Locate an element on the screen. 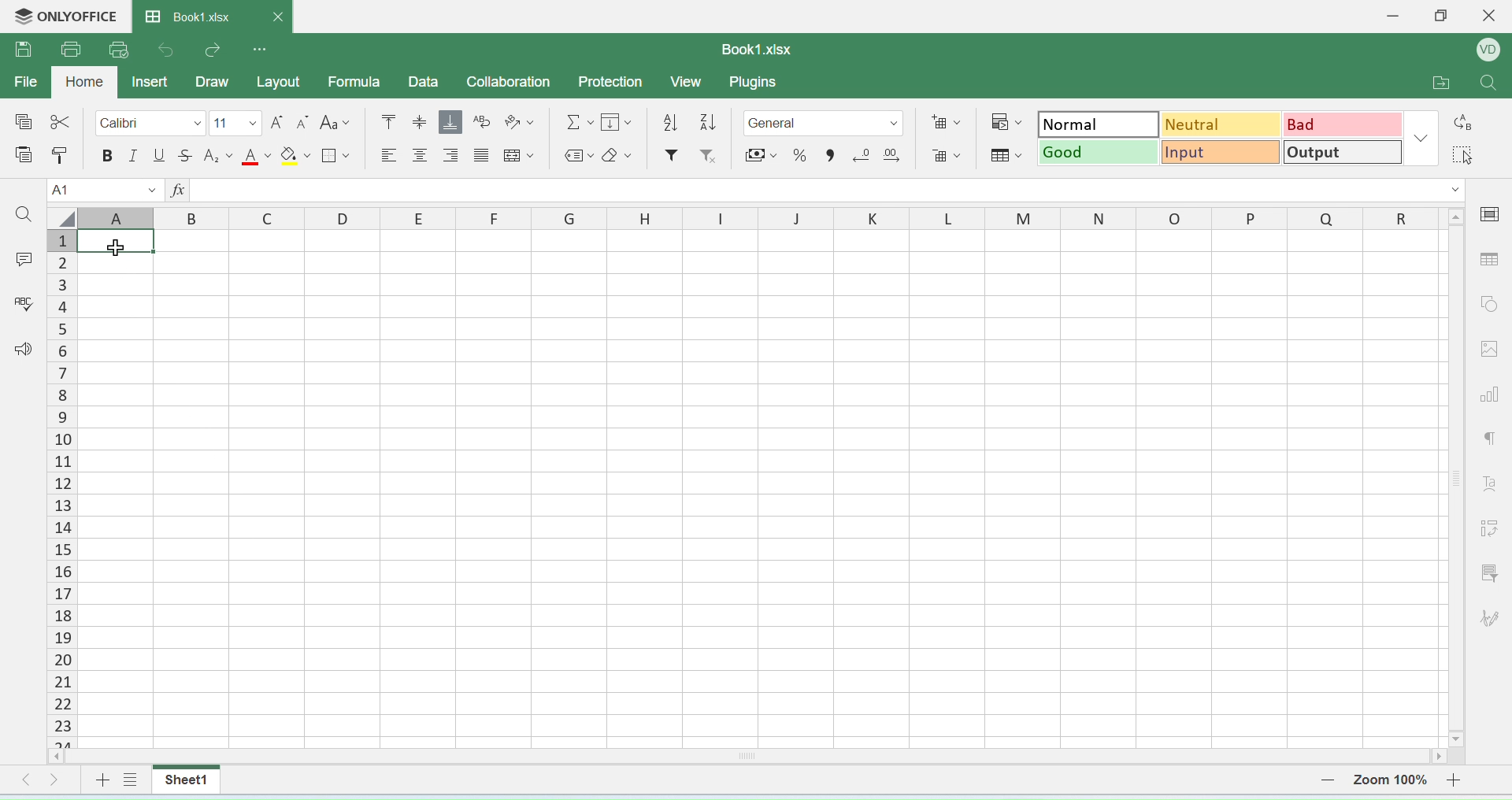 The width and height of the screenshot is (1512, 800). zoom number is located at coordinates (1388, 779).